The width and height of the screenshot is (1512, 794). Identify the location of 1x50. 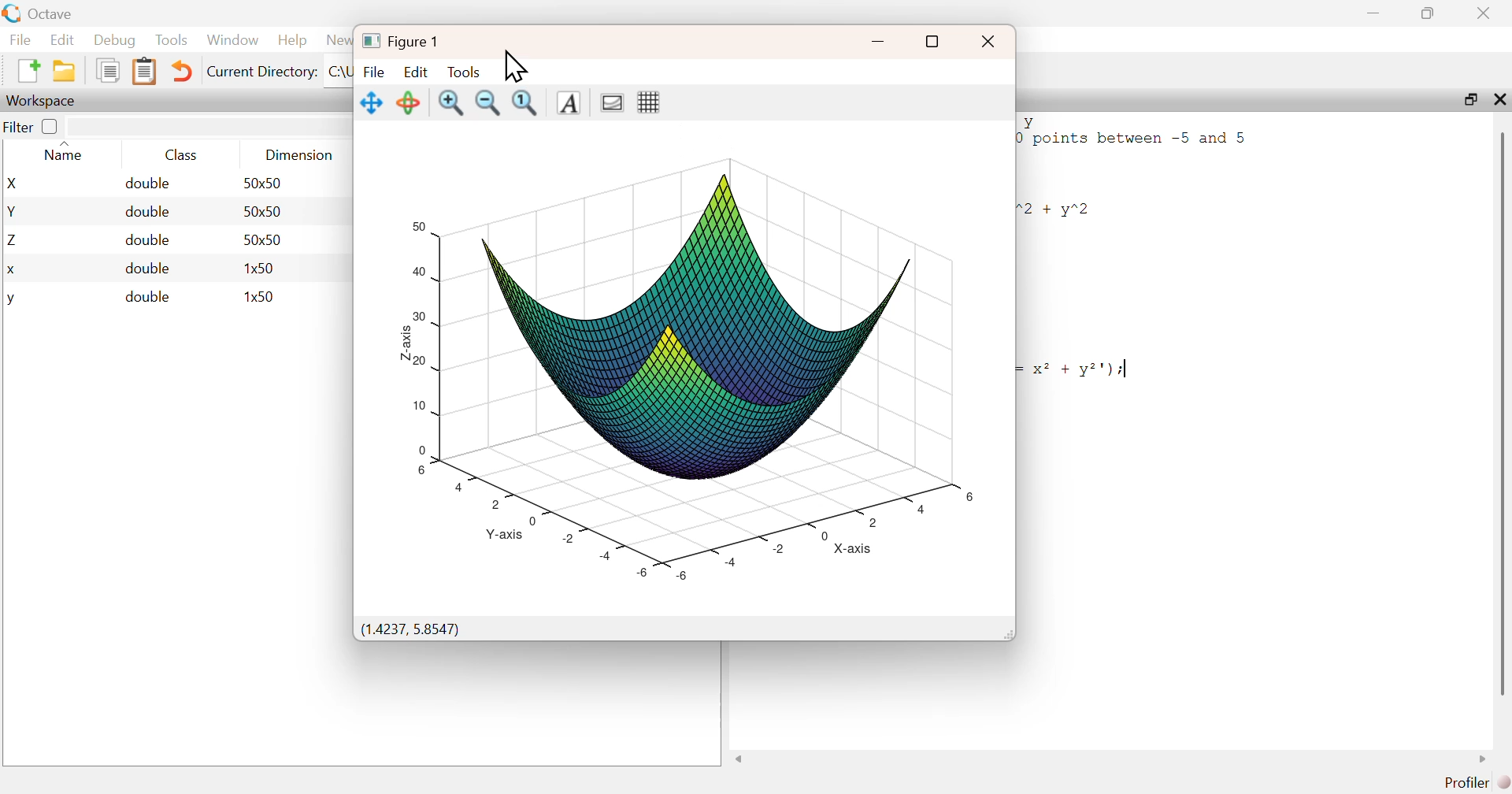
(261, 268).